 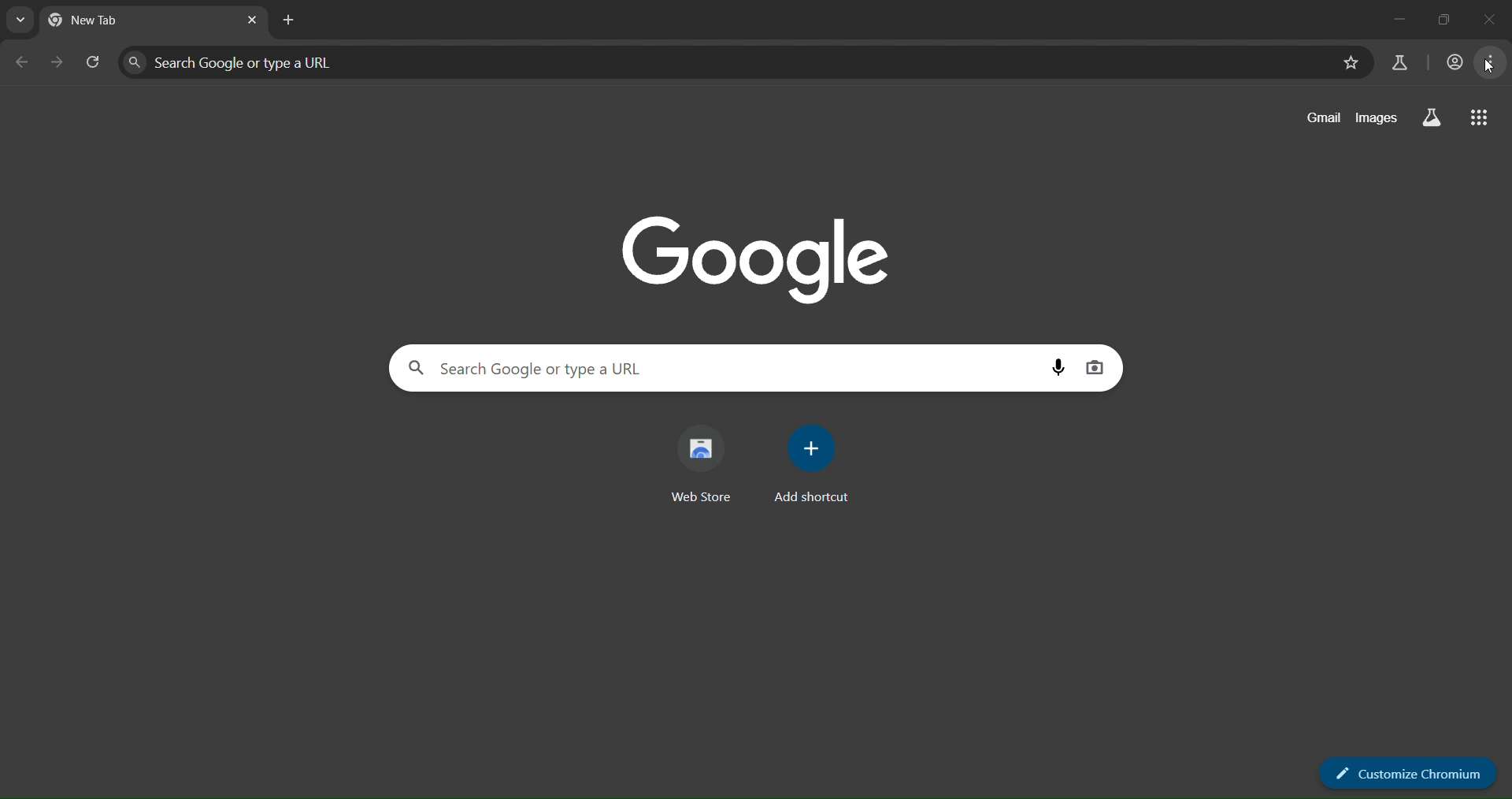 I want to click on images, so click(x=1377, y=118).